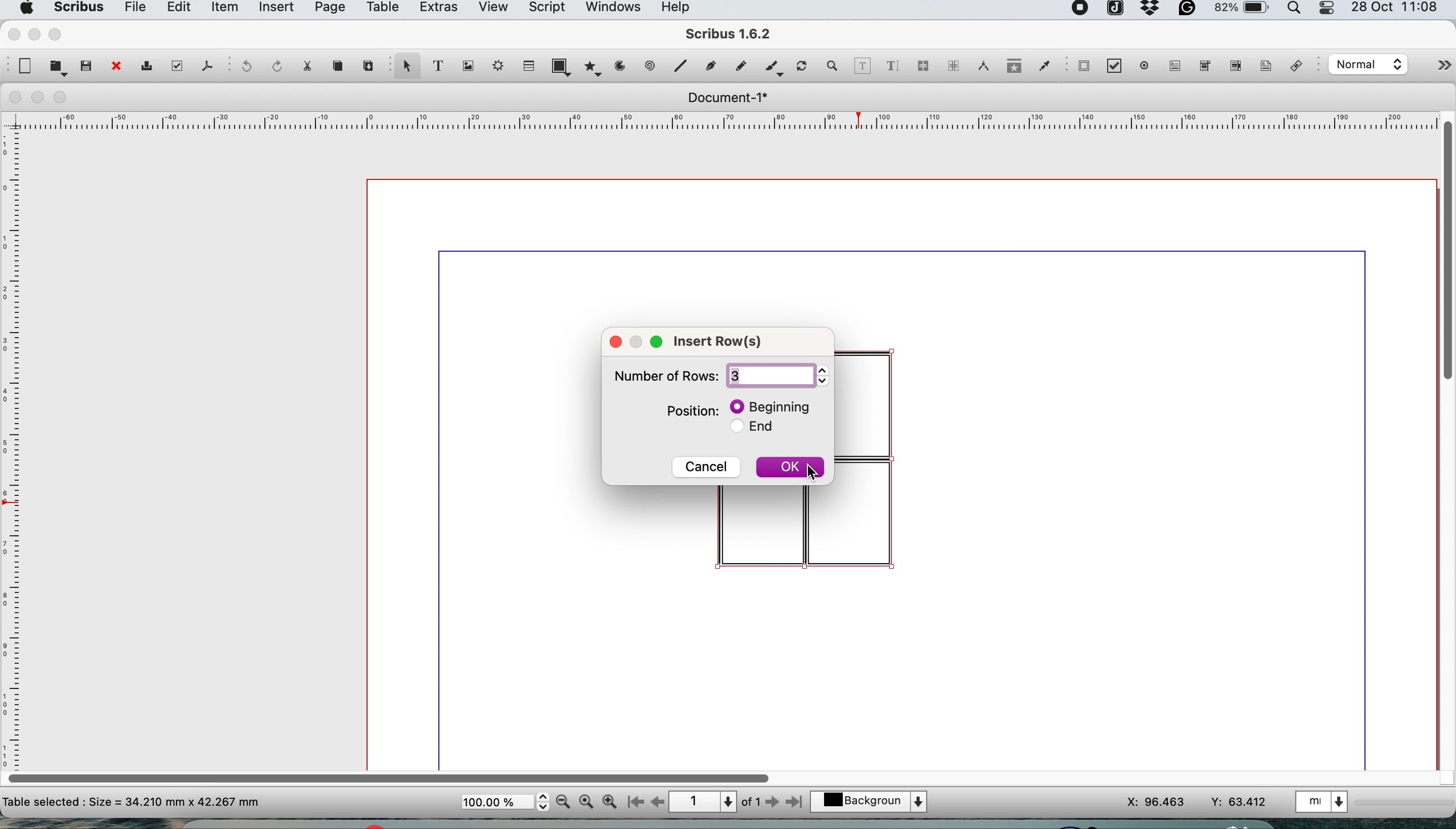 The height and width of the screenshot is (829, 1456). Describe the element at coordinates (64, 98) in the screenshot. I see `maximise` at that location.